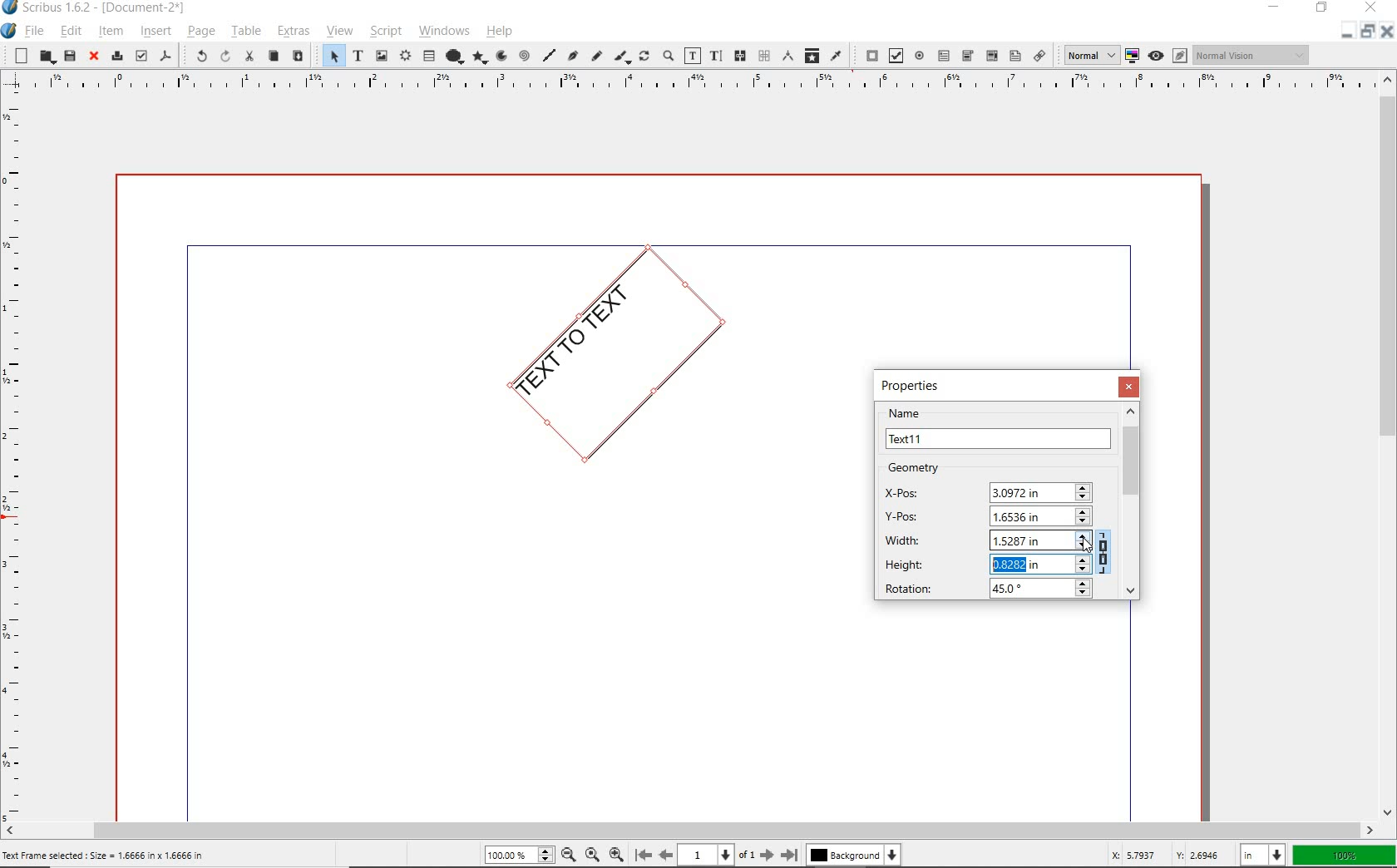 The image size is (1397, 868). I want to click on zoom level, so click(522, 856).